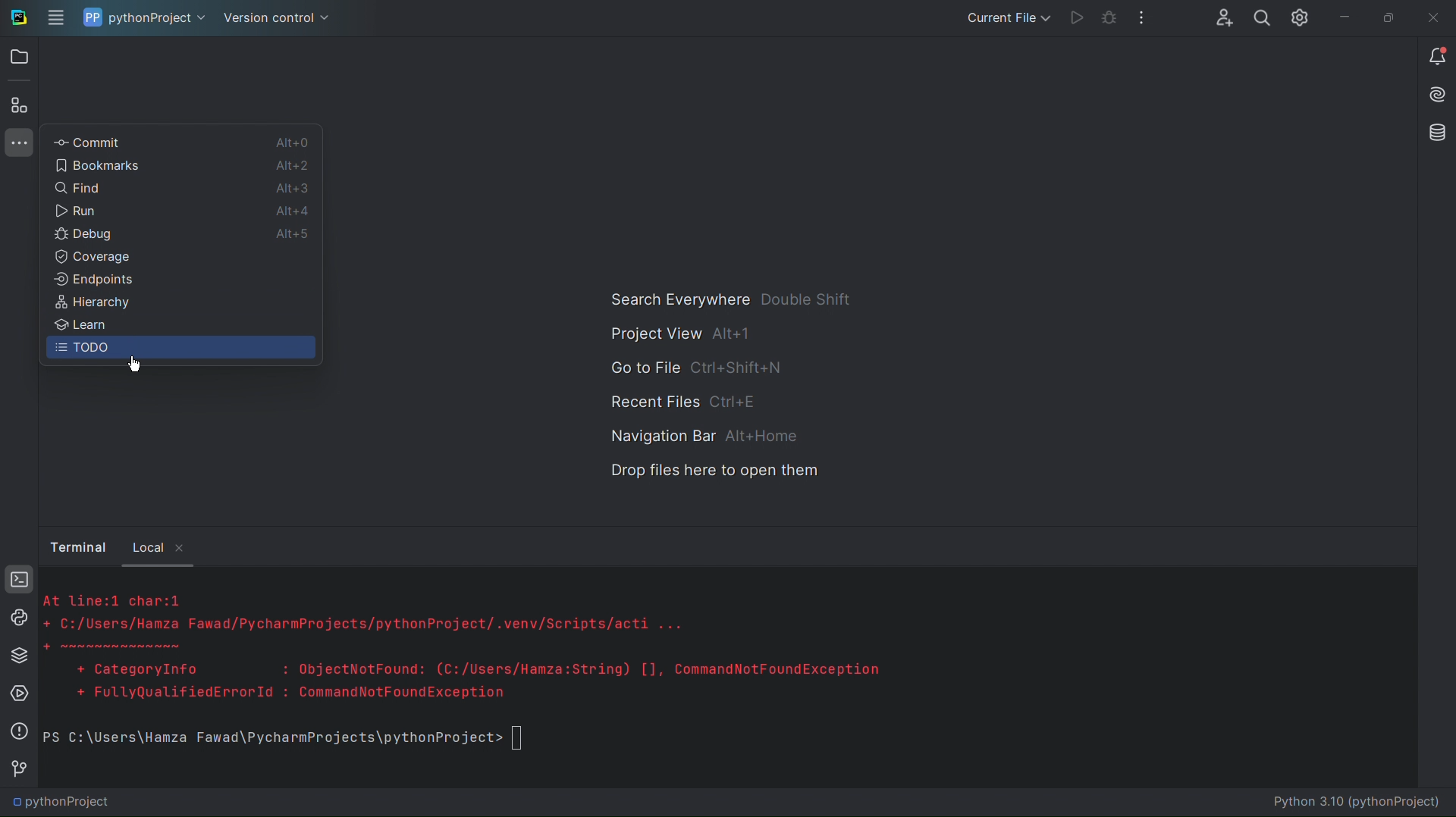 The height and width of the screenshot is (817, 1456). I want to click on Drop files here to open them, so click(715, 471).